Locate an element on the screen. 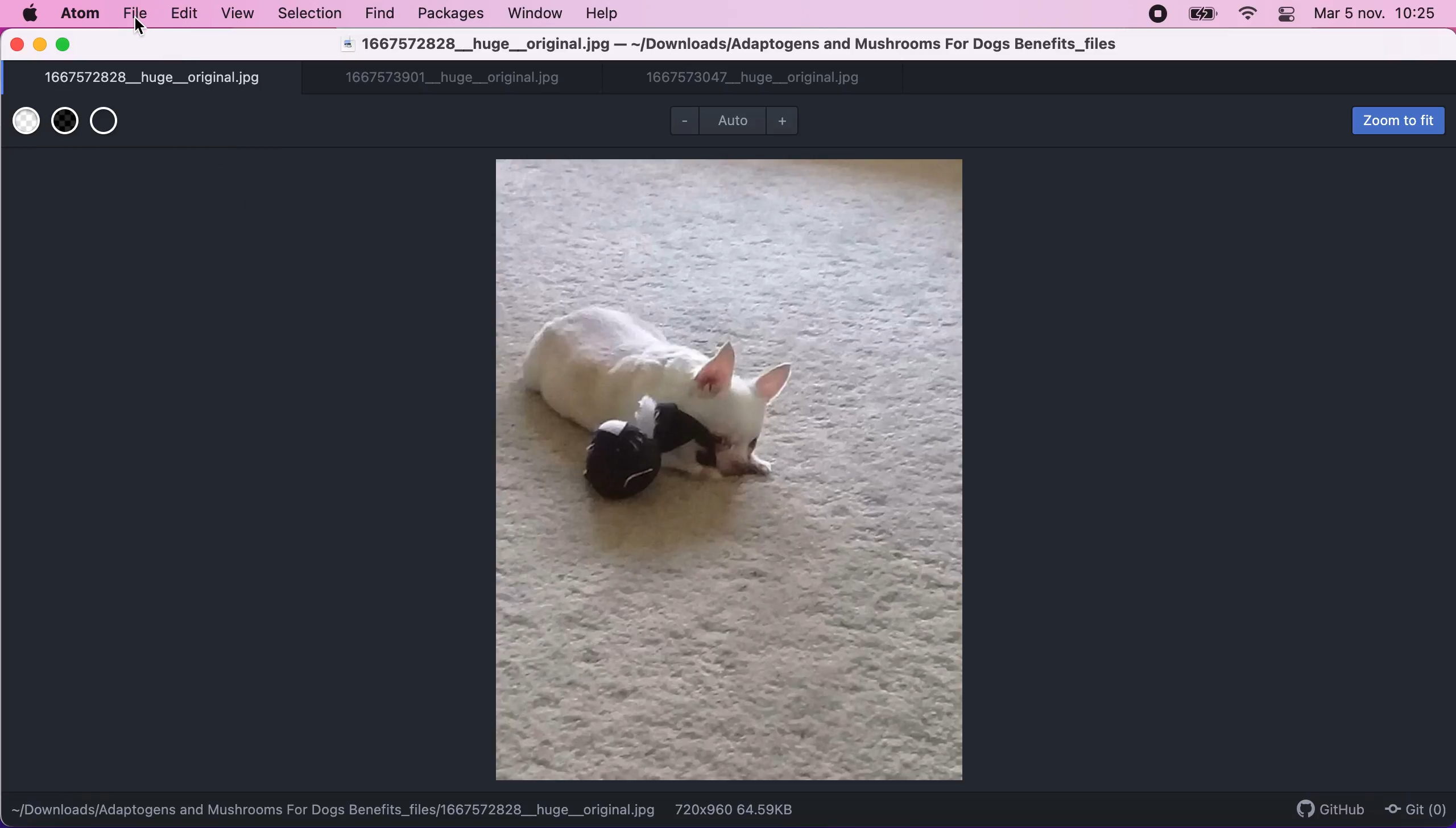 This screenshot has height=828, width=1456. file image is located at coordinates (730, 469).